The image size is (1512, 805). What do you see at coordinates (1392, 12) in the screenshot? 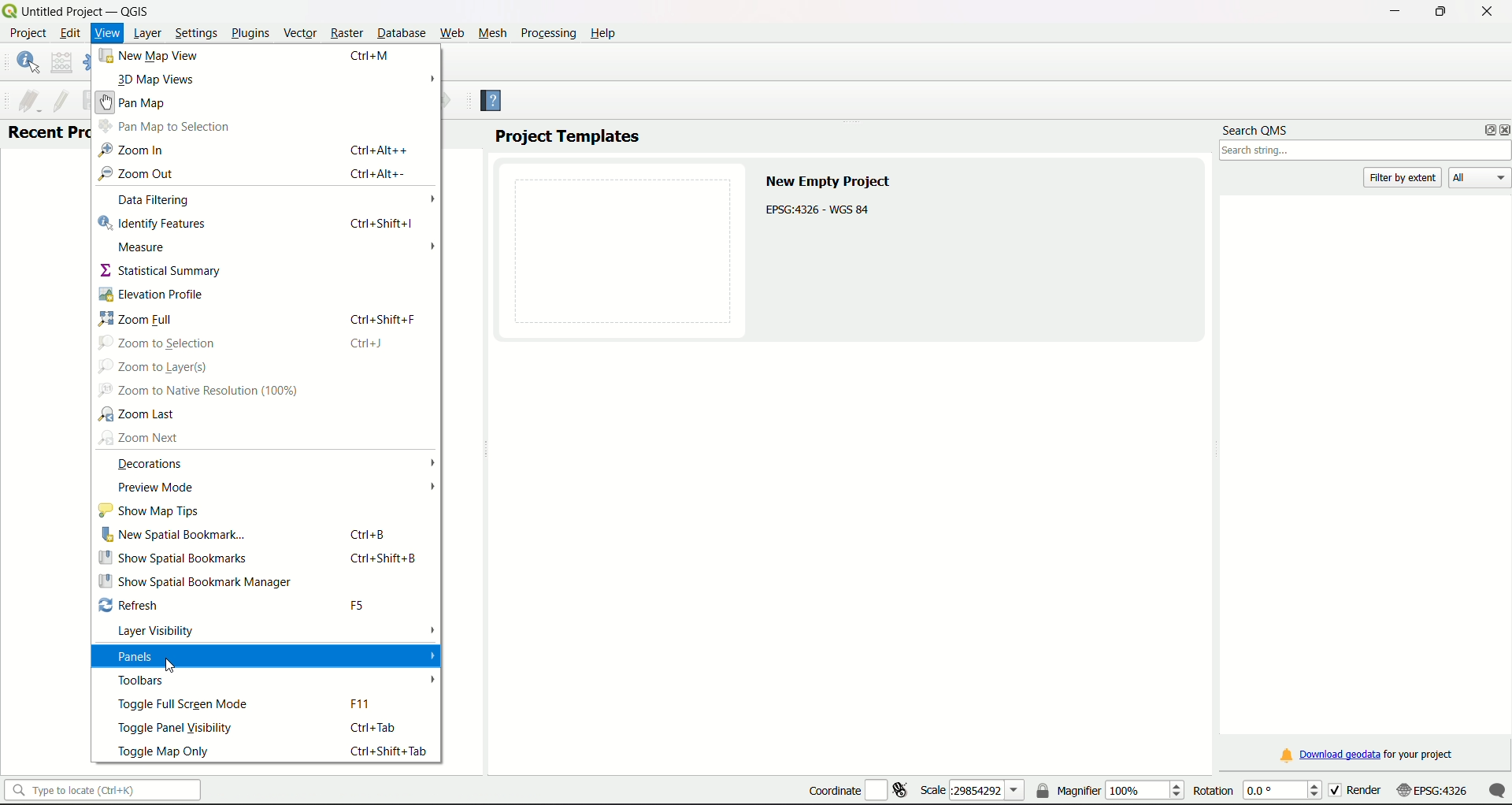
I see `minimize` at bounding box center [1392, 12].